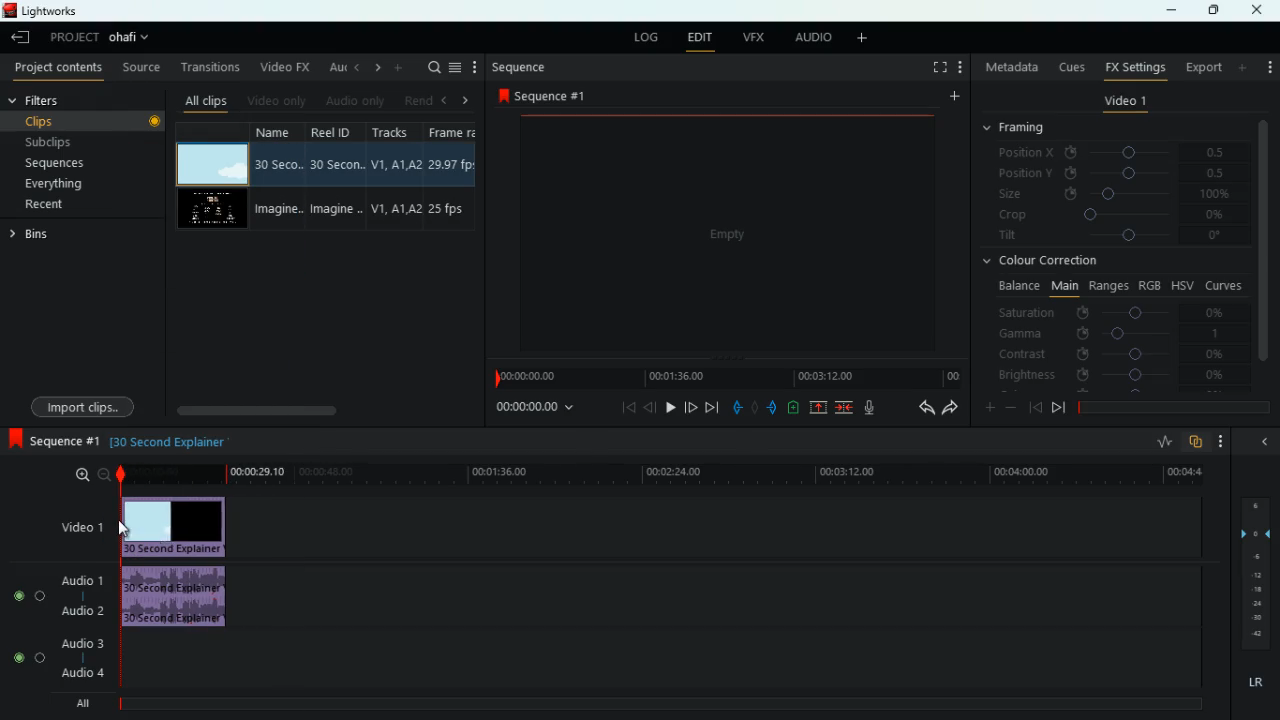 Image resolution: width=1280 pixels, height=720 pixels. I want to click on audio, so click(176, 596).